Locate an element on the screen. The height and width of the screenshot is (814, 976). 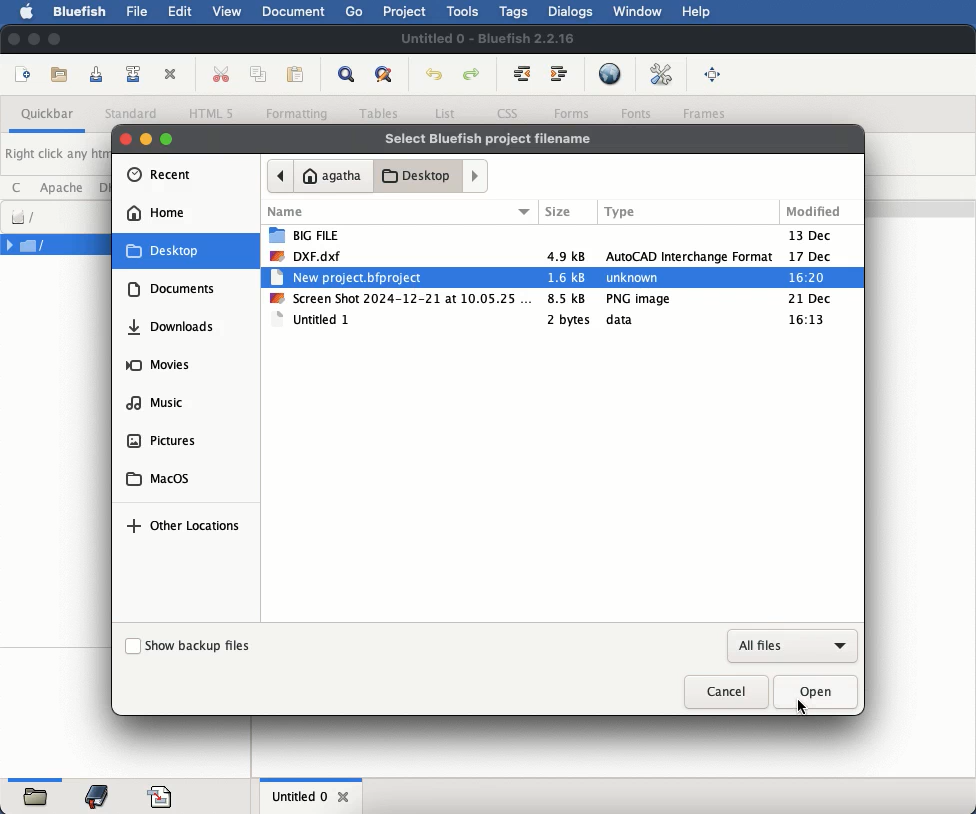
fonts is located at coordinates (638, 114).